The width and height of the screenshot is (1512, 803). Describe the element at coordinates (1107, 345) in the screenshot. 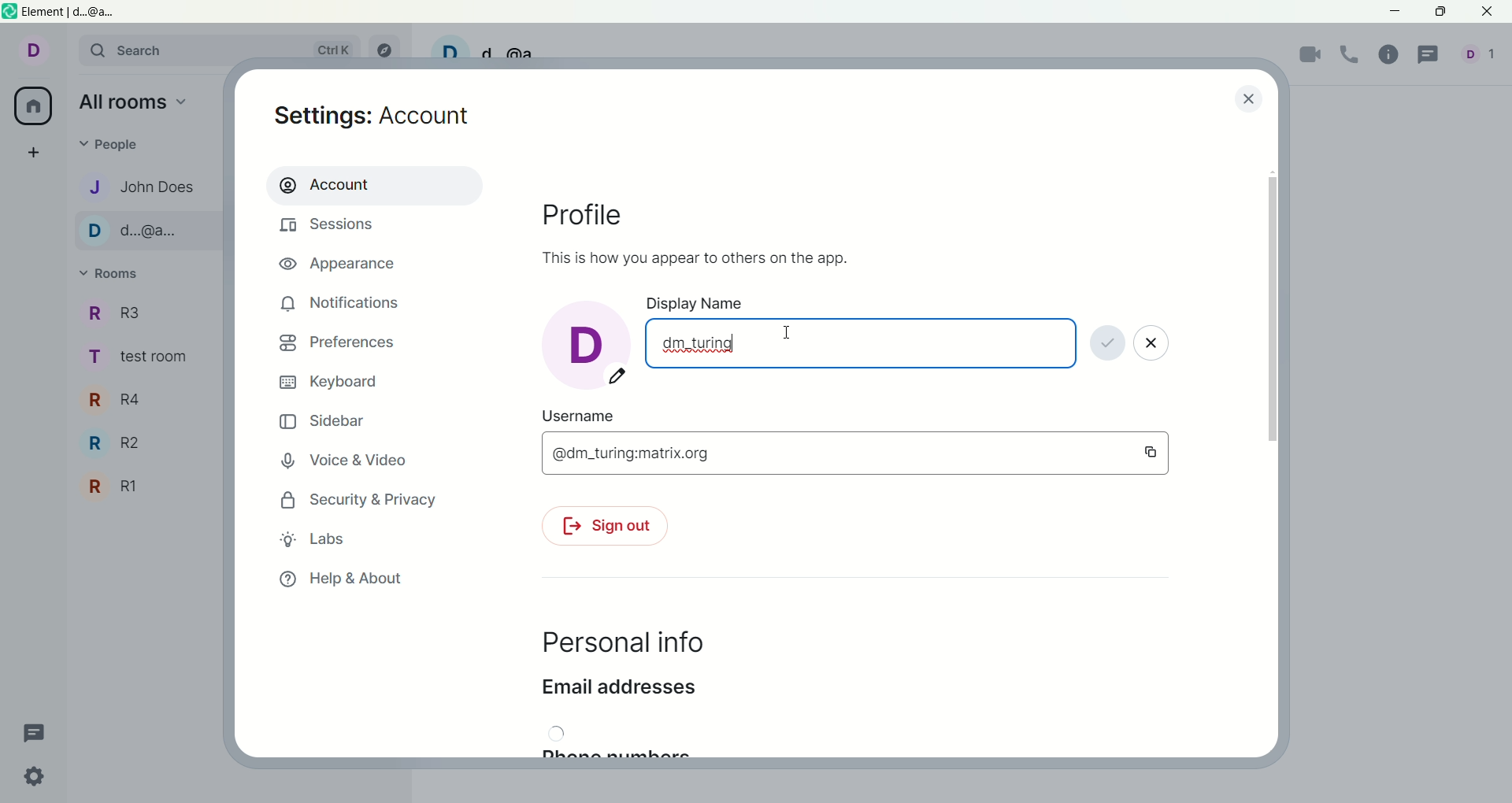

I see `save` at that location.